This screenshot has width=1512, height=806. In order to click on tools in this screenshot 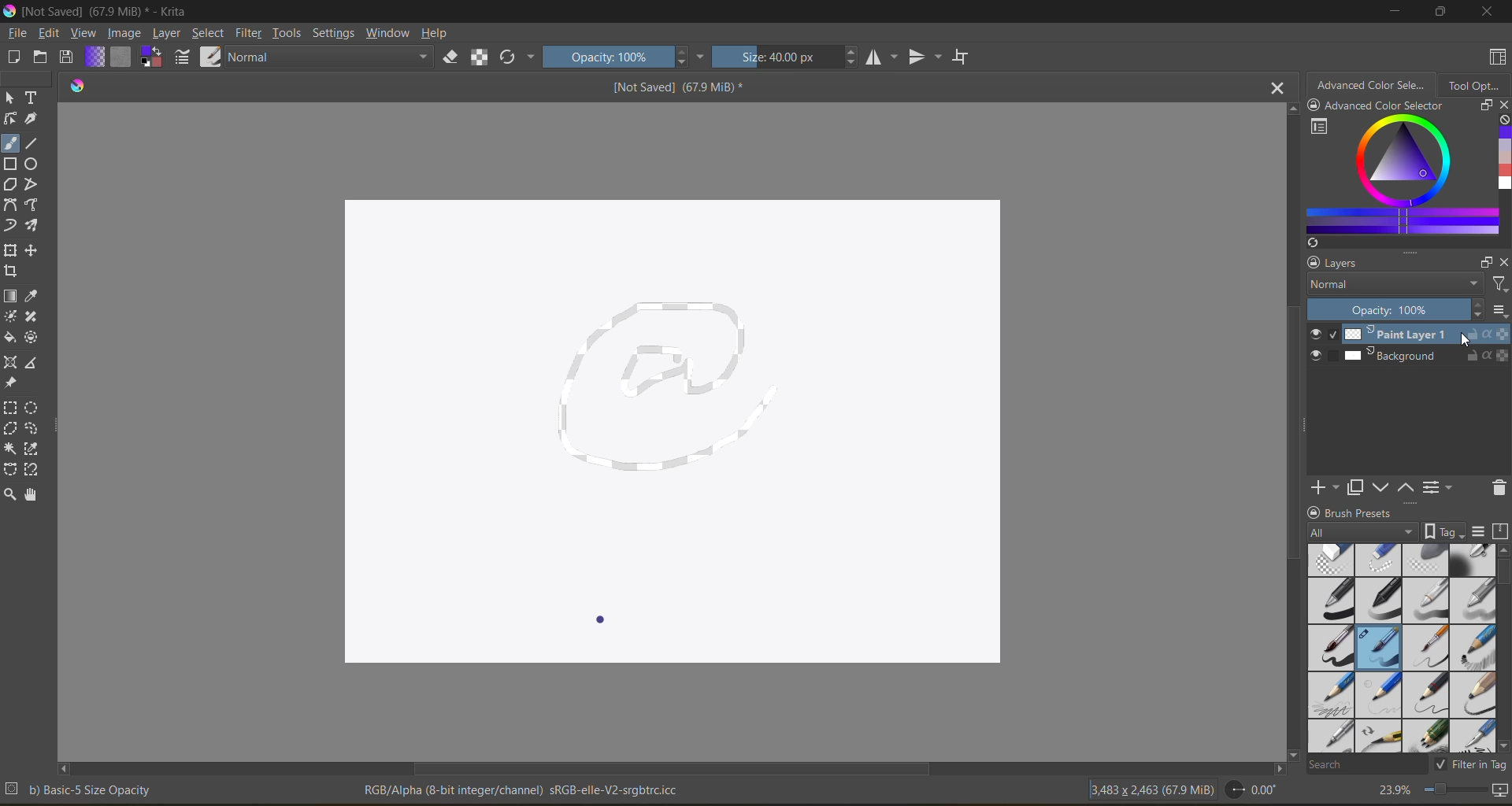, I will do `click(287, 33)`.